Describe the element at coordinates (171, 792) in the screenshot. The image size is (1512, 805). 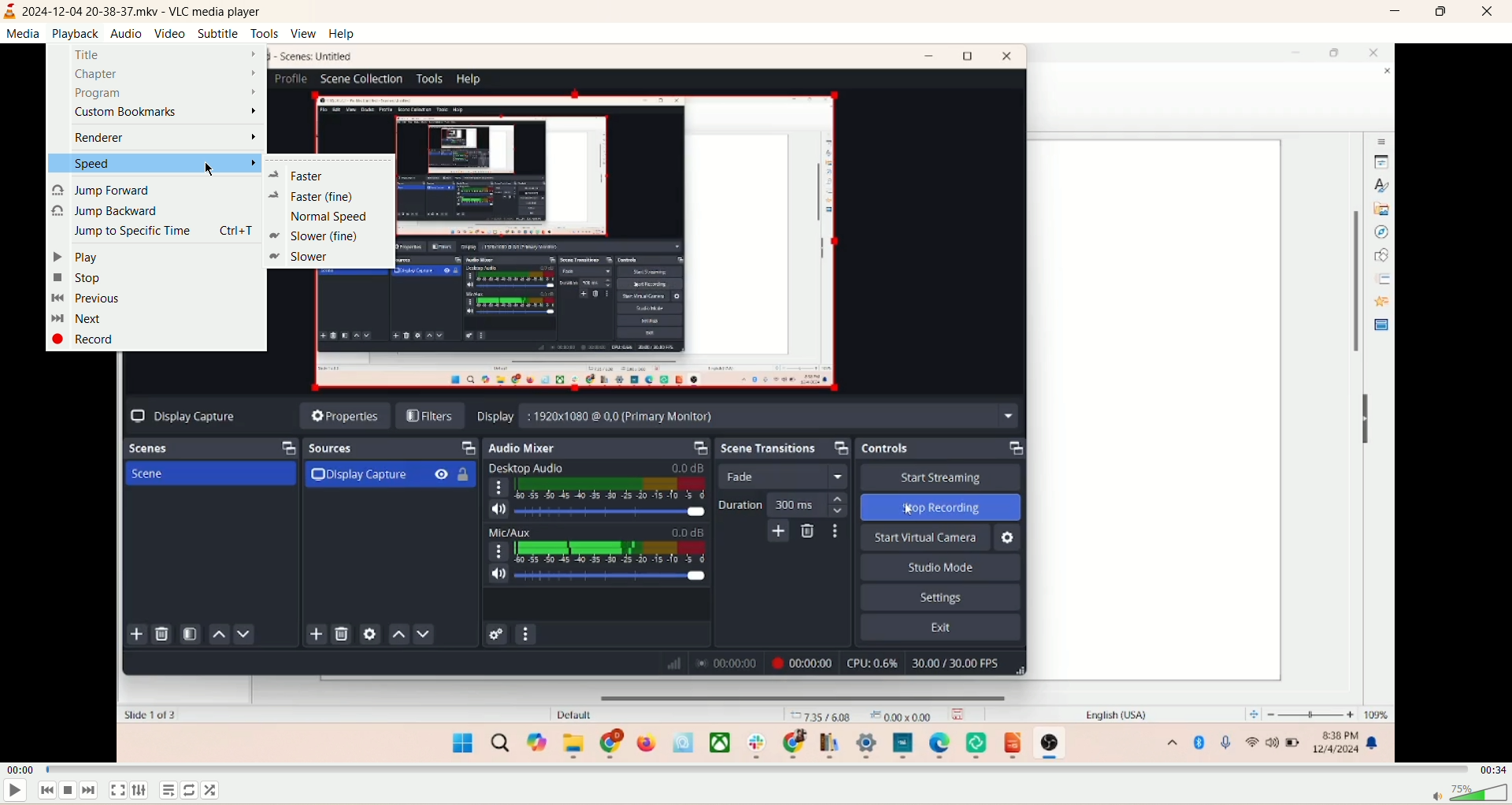
I see `playlist` at that location.